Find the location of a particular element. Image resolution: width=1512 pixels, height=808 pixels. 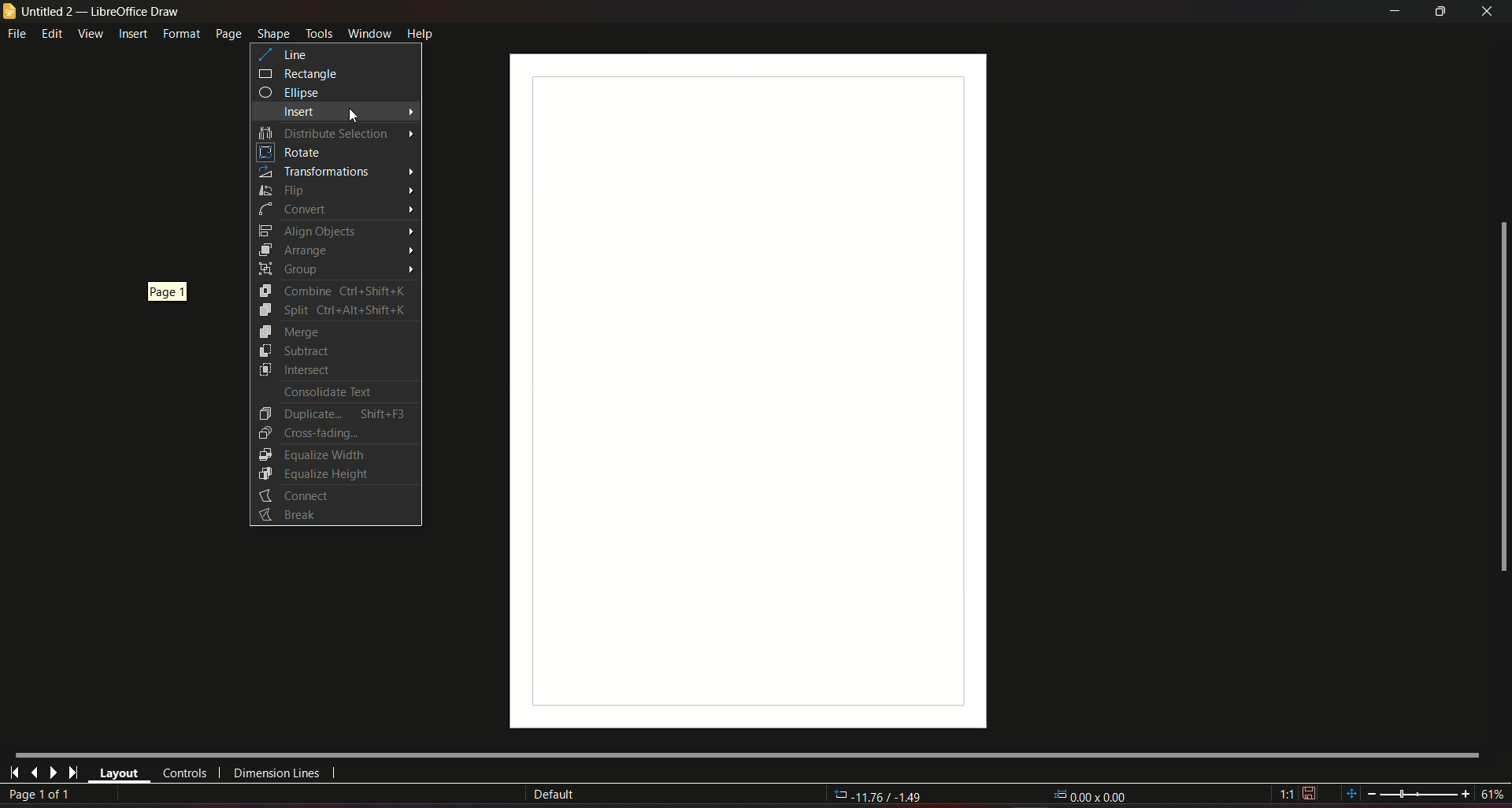

Arrow is located at coordinates (408, 209).